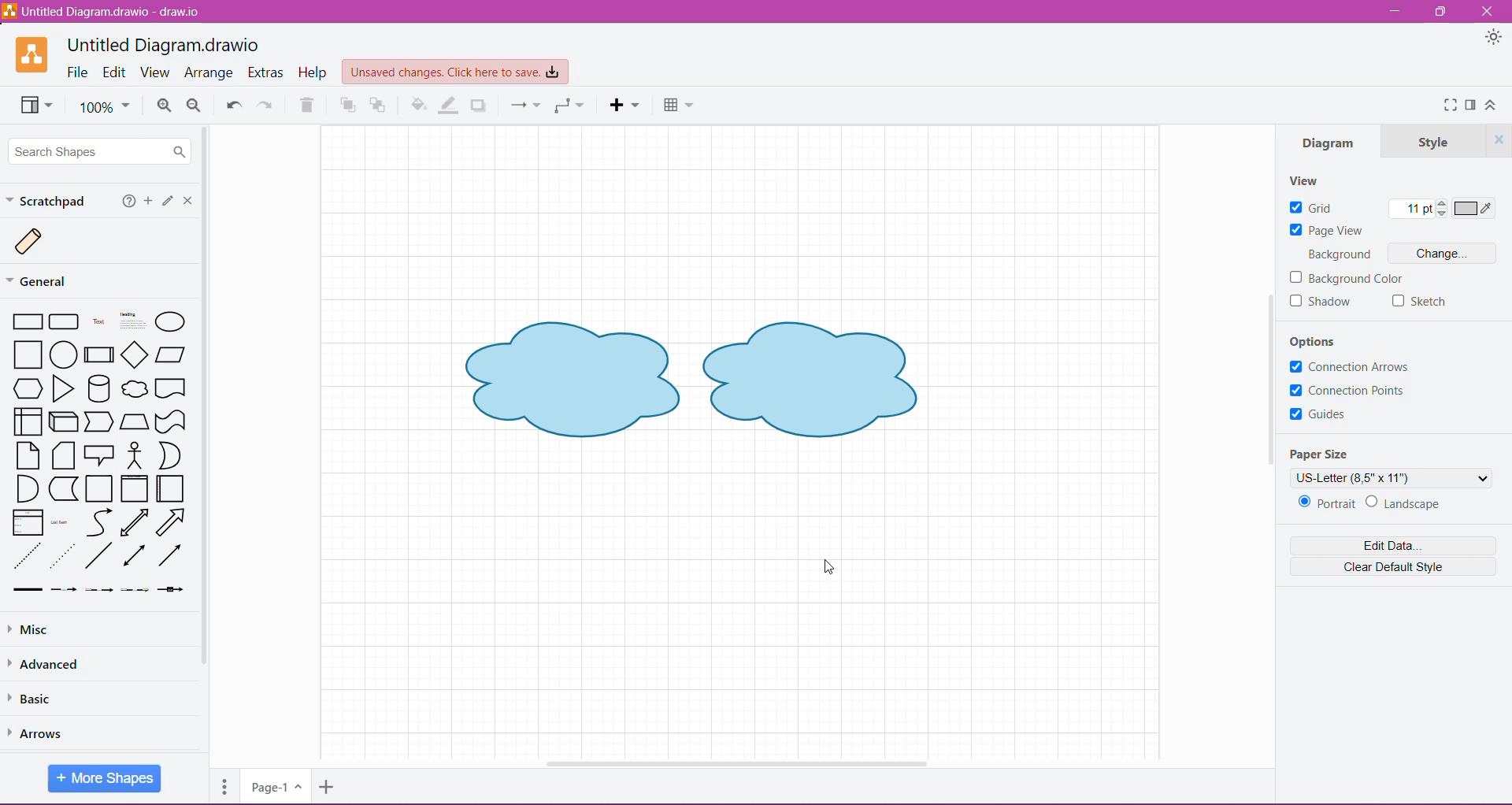 The height and width of the screenshot is (805, 1512). What do you see at coordinates (41, 243) in the screenshot?
I see `Scratch Image` at bounding box center [41, 243].